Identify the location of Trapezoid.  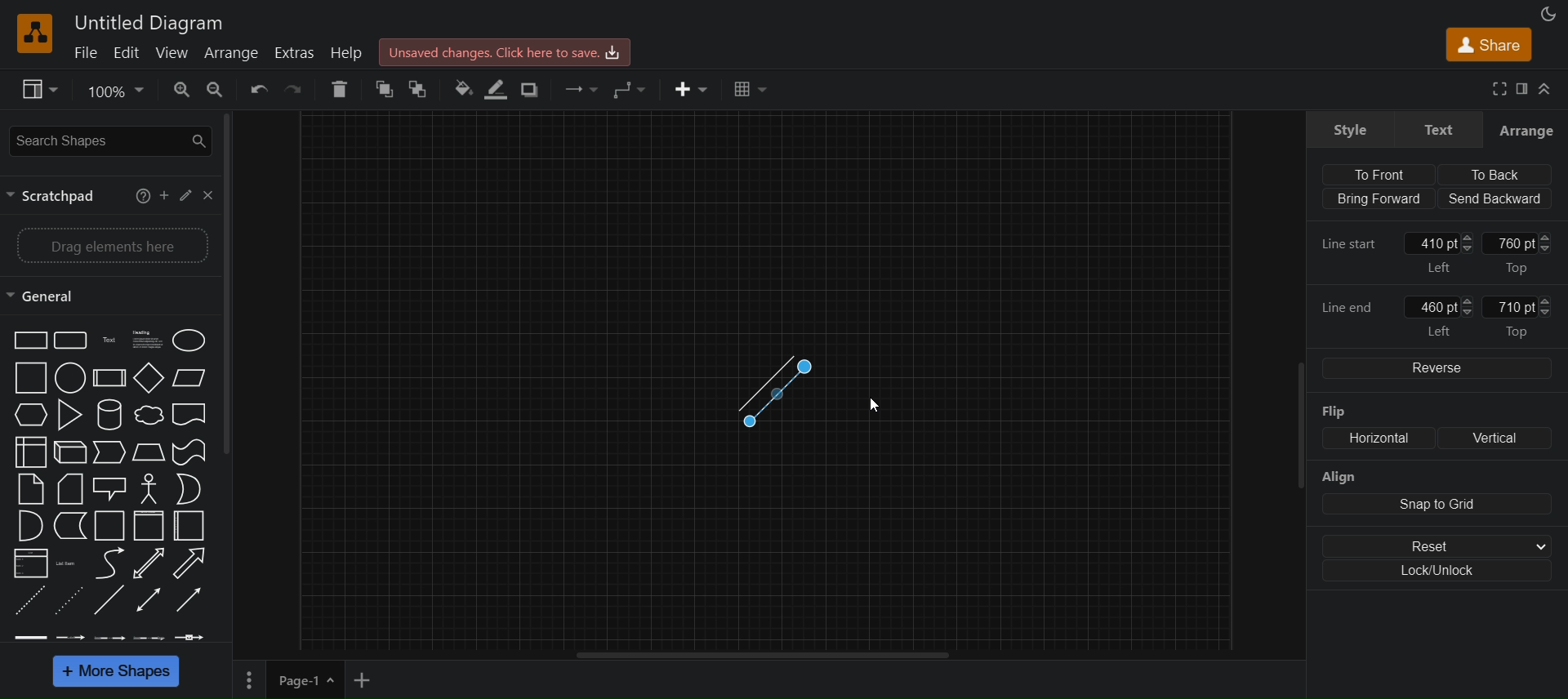
(147, 452).